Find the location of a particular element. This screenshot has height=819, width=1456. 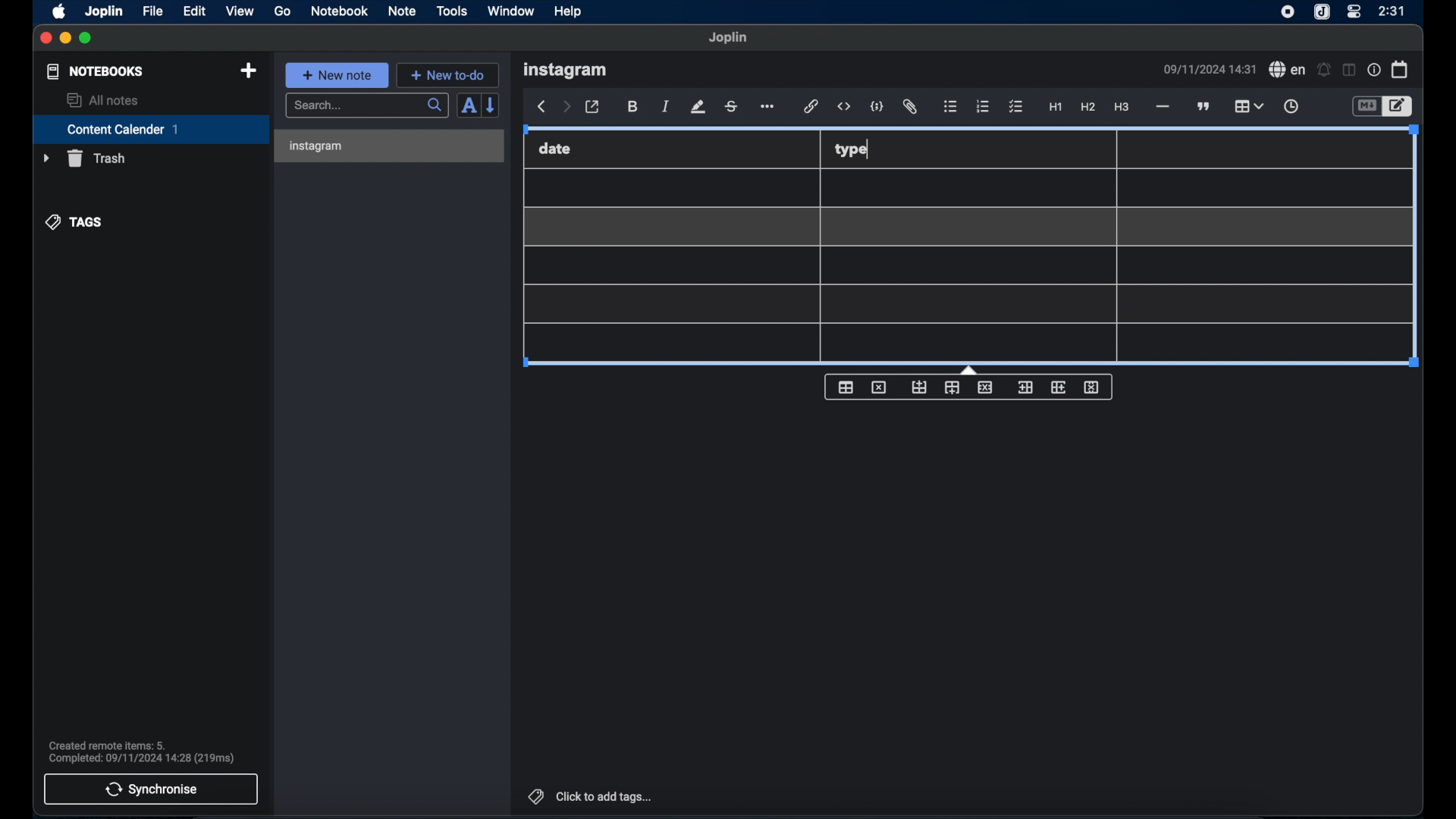

help is located at coordinates (570, 12).